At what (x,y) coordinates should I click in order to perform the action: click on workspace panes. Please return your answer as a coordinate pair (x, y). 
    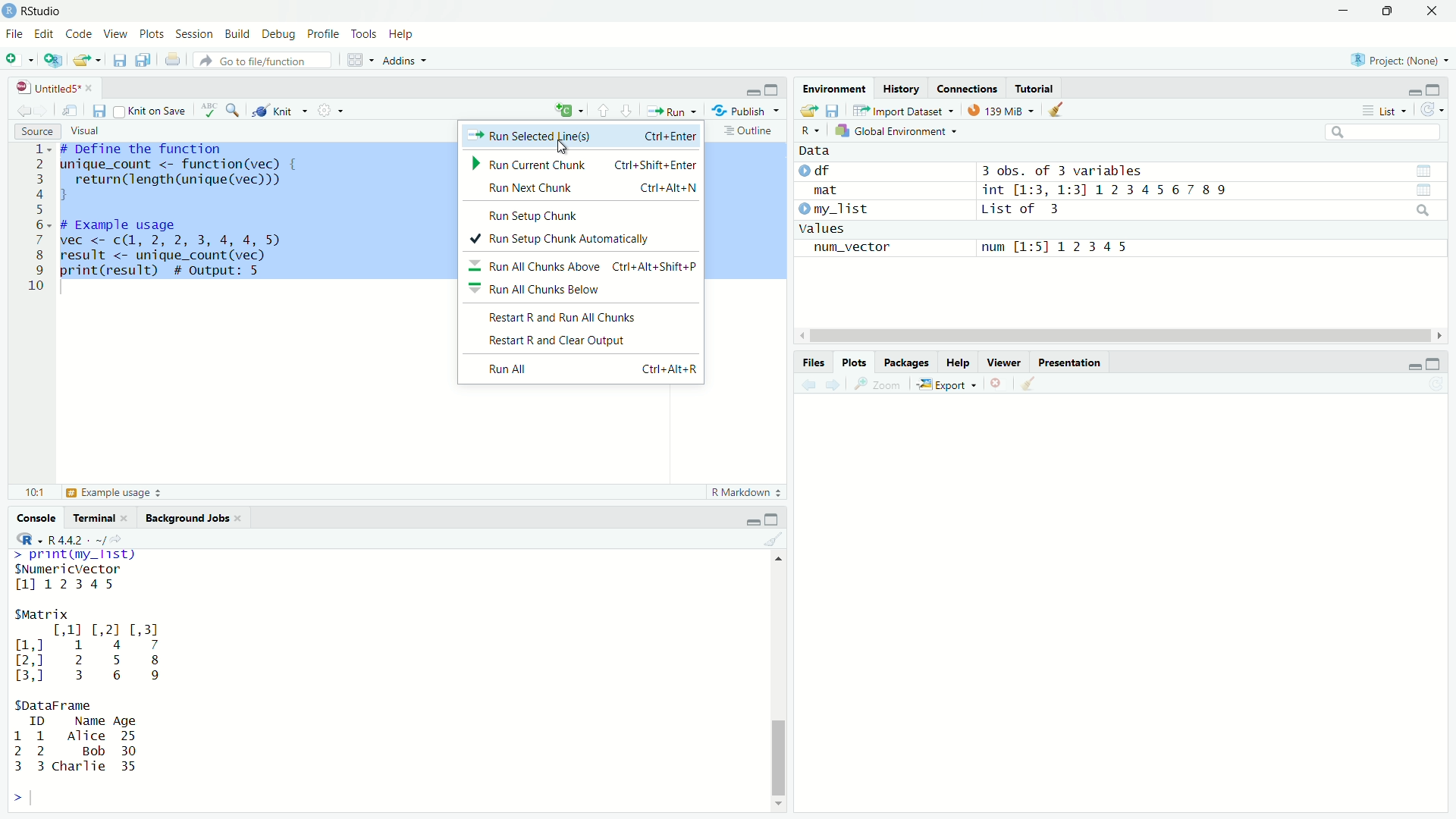
    Looking at the image, I should click on (354, 60).